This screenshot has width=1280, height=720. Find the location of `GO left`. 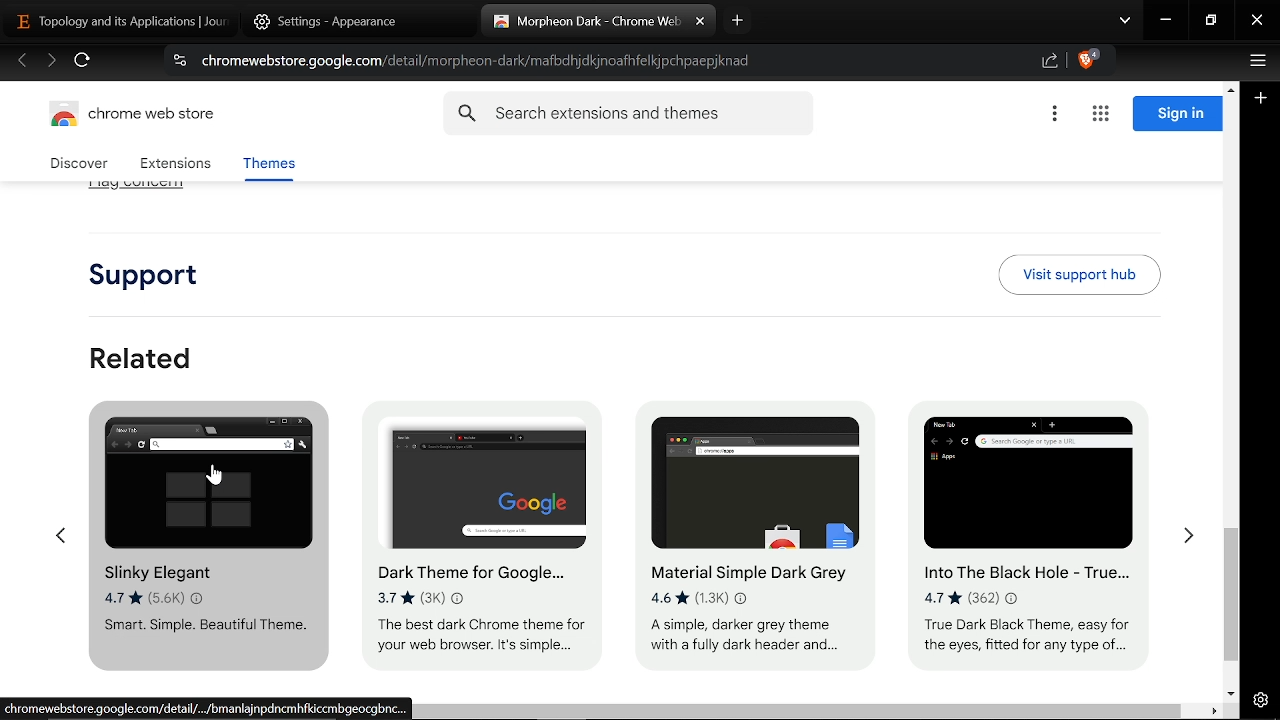

GO left is located at coordinates (59, 528).